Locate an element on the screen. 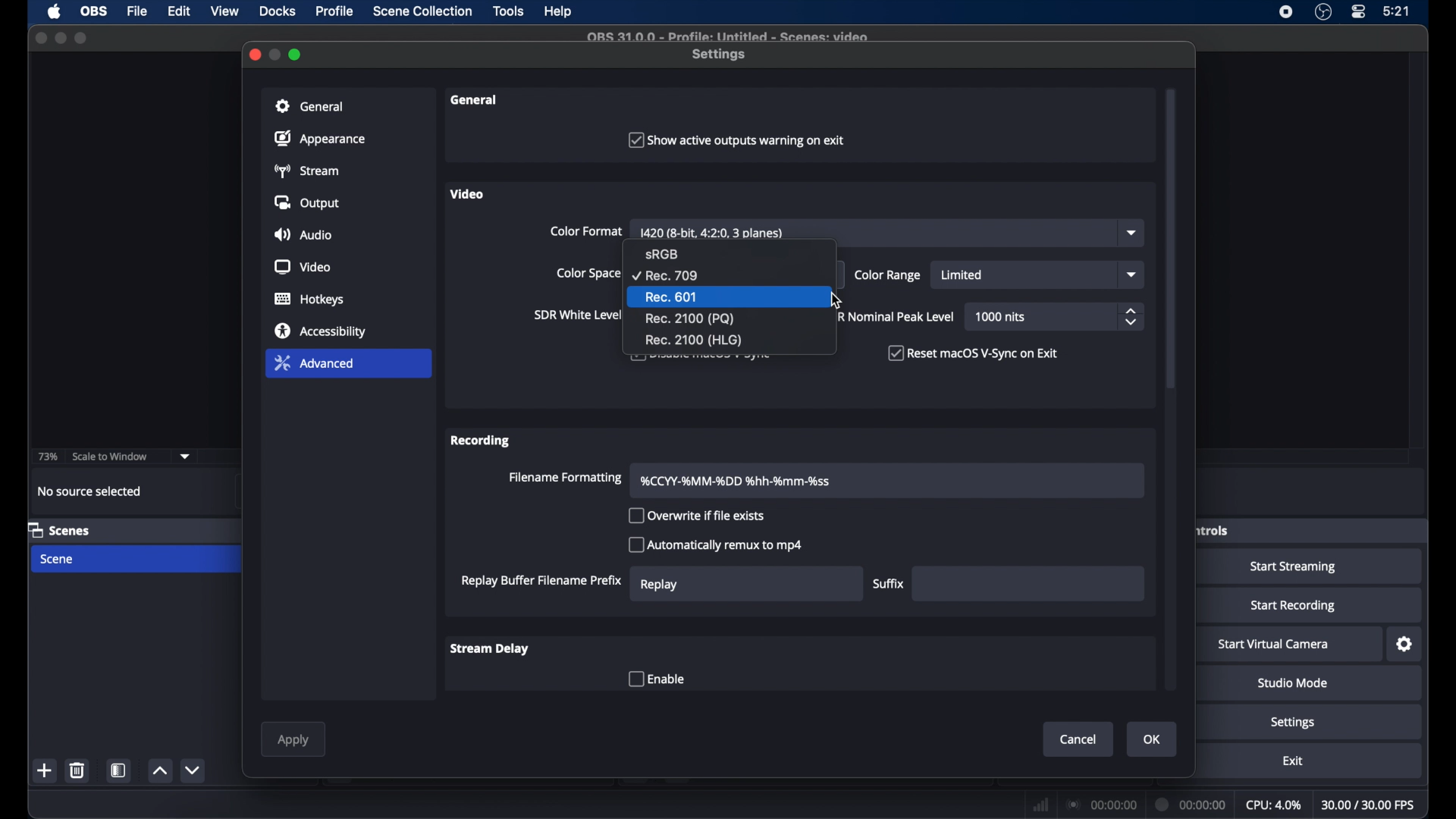 Image resolution: width=1456 pixels, height=819 pixels. cancel is located at coordinates (1079, 740).